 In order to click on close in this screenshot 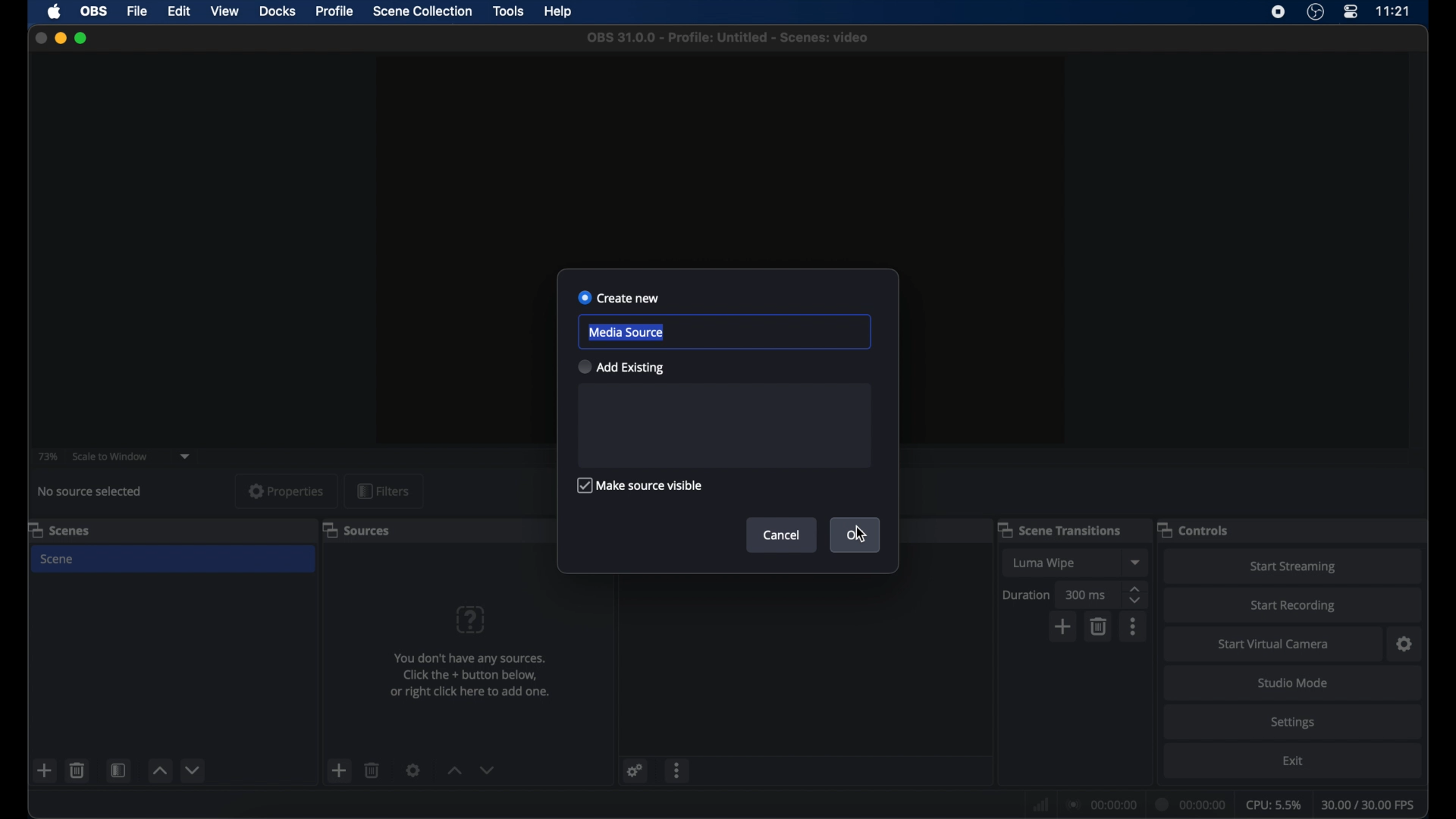, I will do `click(40, 38)`.